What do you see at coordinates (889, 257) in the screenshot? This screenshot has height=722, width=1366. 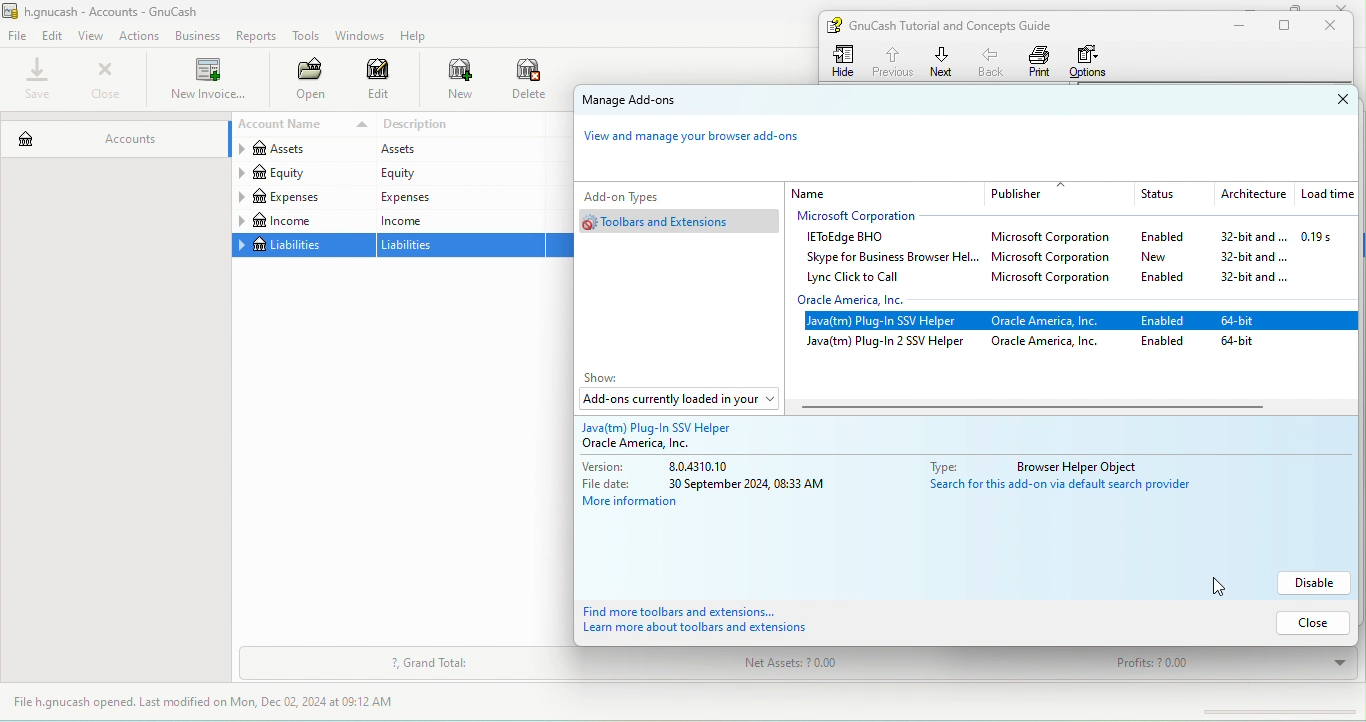 I see `skype for business browser hel` at bounding box center [889, 257].